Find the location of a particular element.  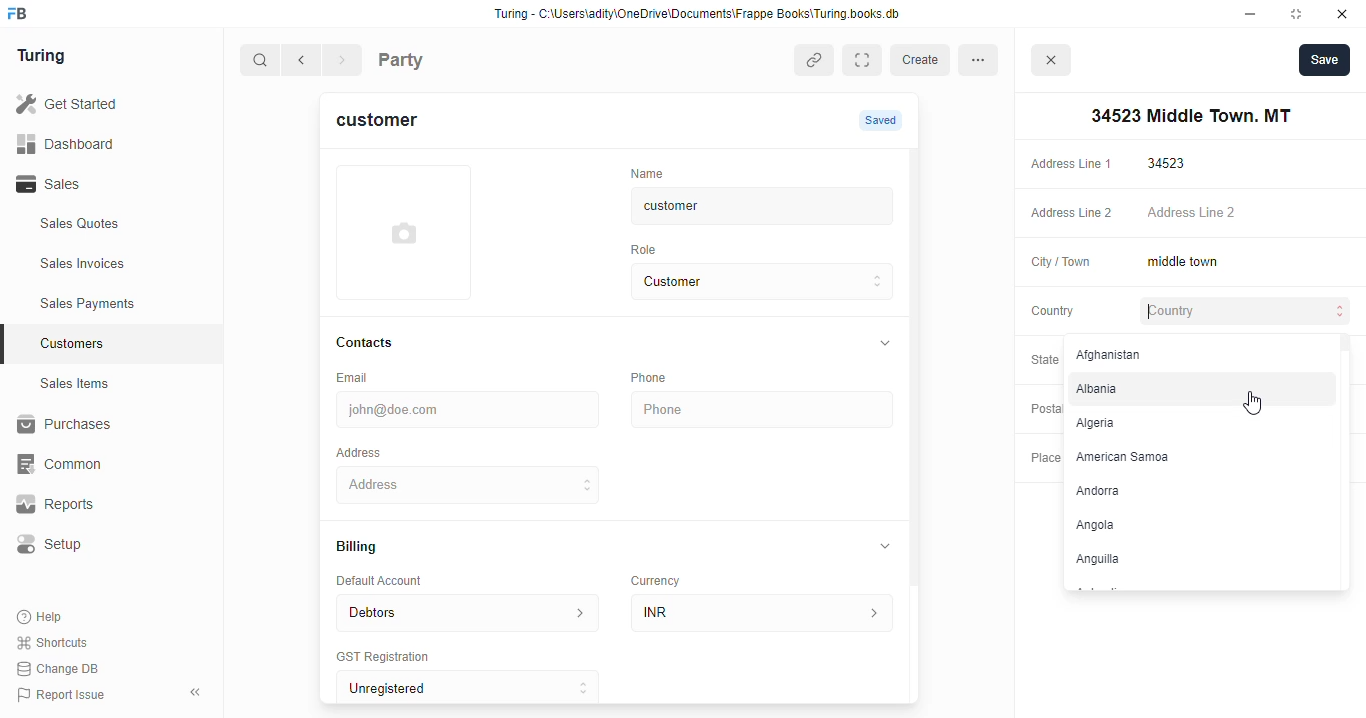

Default Account is located at coordinates (395, 580).